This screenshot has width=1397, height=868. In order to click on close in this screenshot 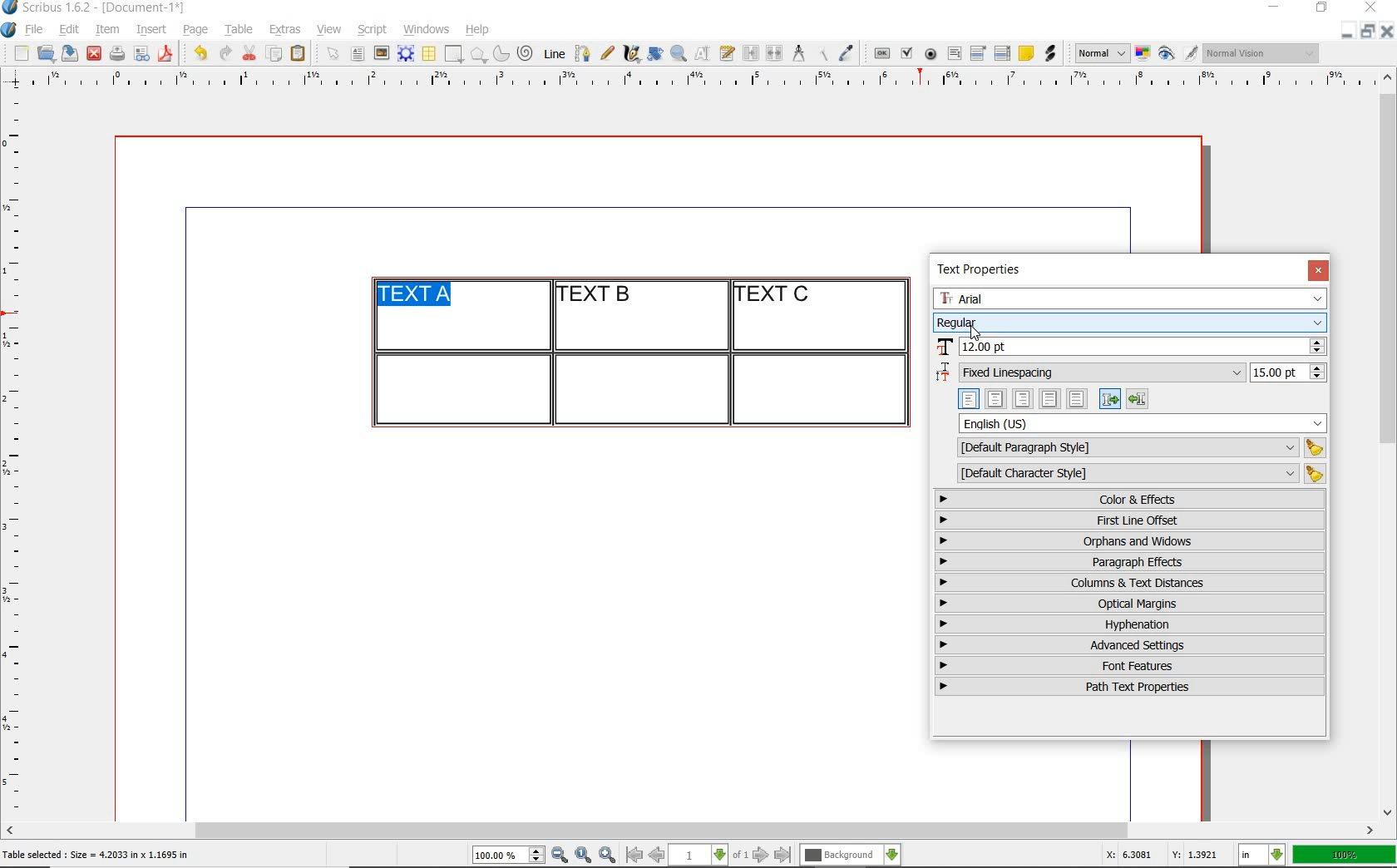, I will do `click(94, 54)`.